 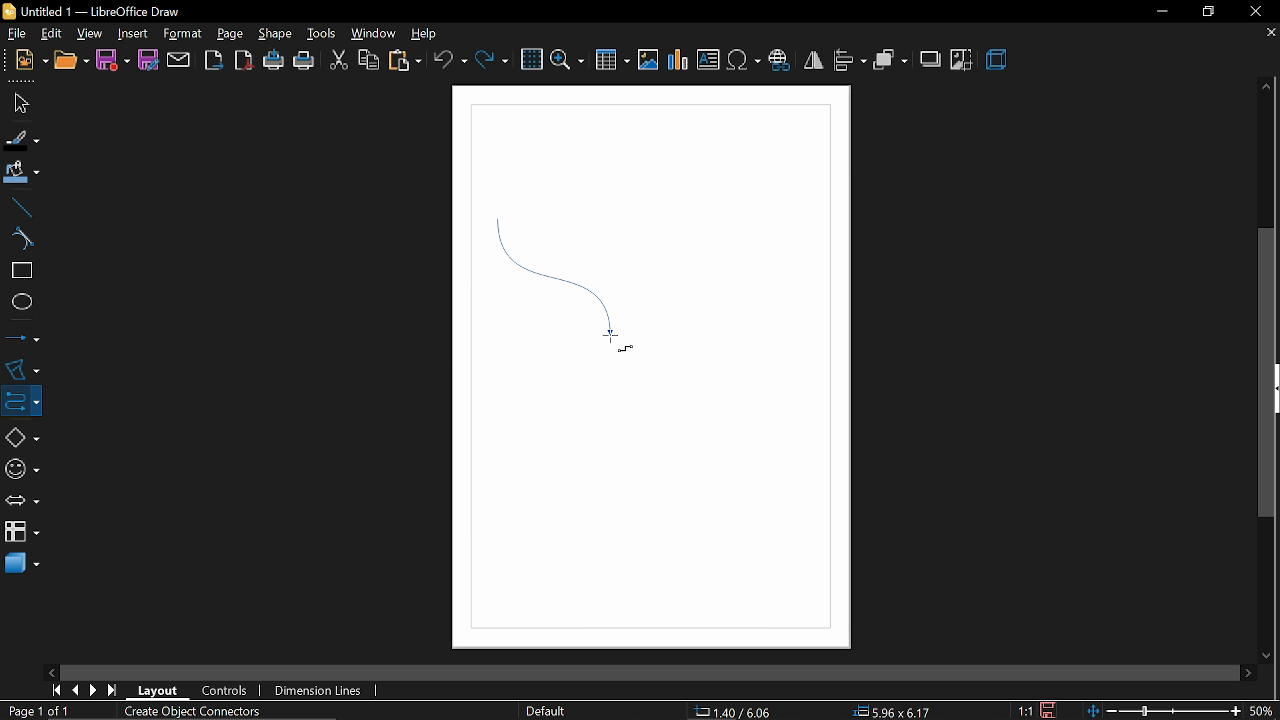 I want to click on arrange, so click(x=890, y=60).